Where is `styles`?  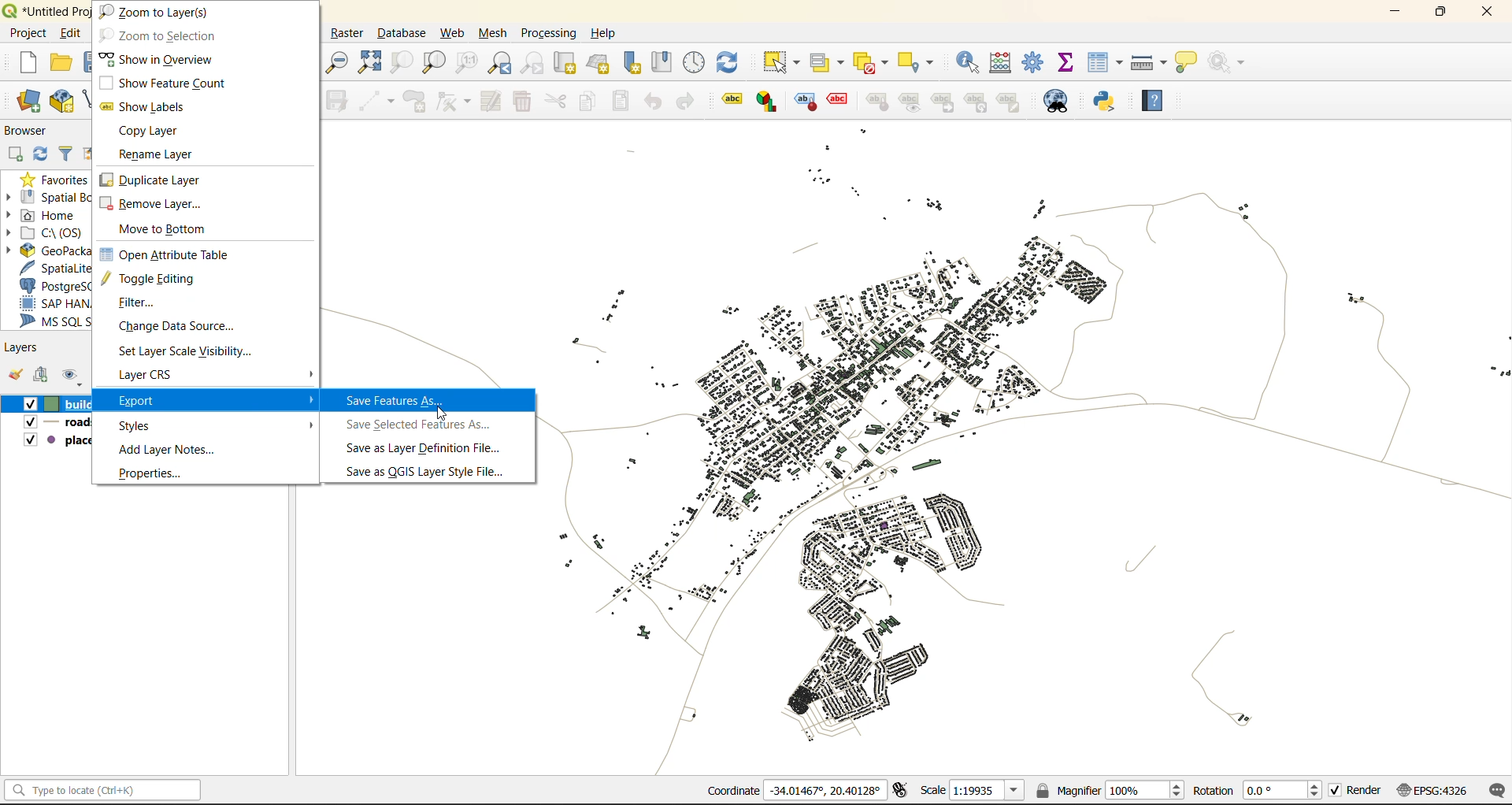
styles is located at coordinates (148, 425).